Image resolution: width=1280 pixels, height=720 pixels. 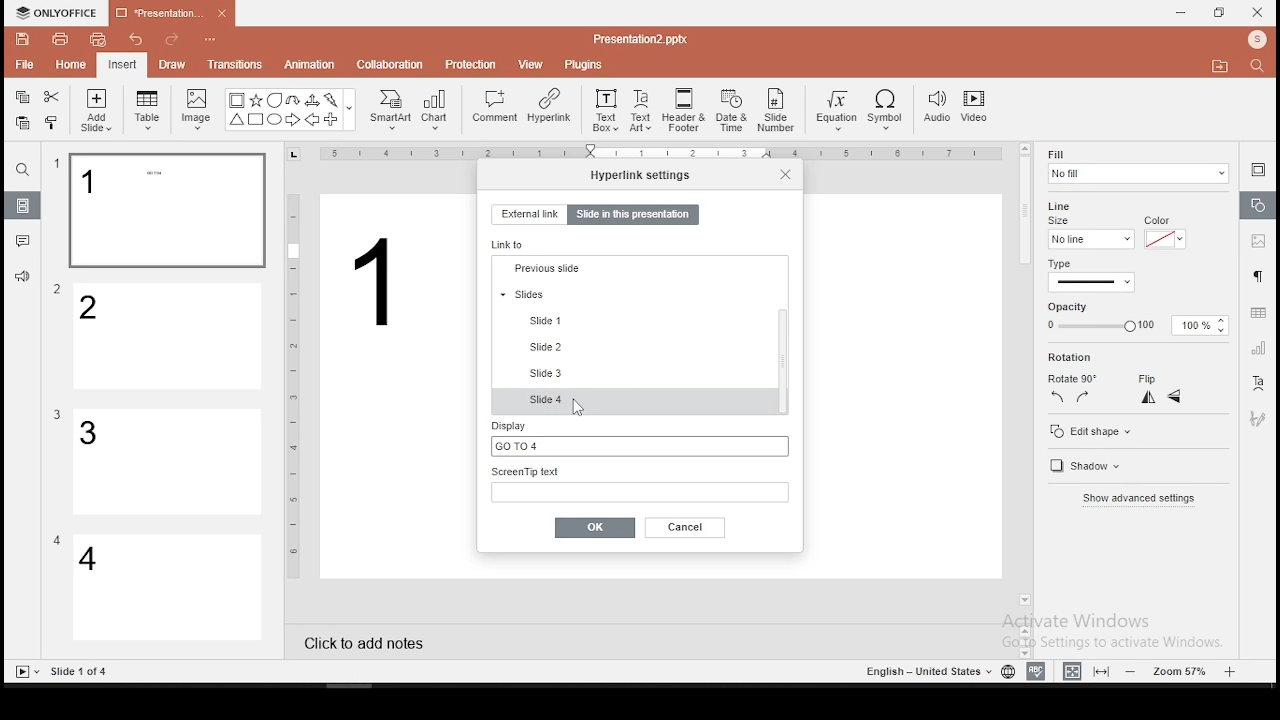 I want to click on zoom level, so click(x=1183, y=670).